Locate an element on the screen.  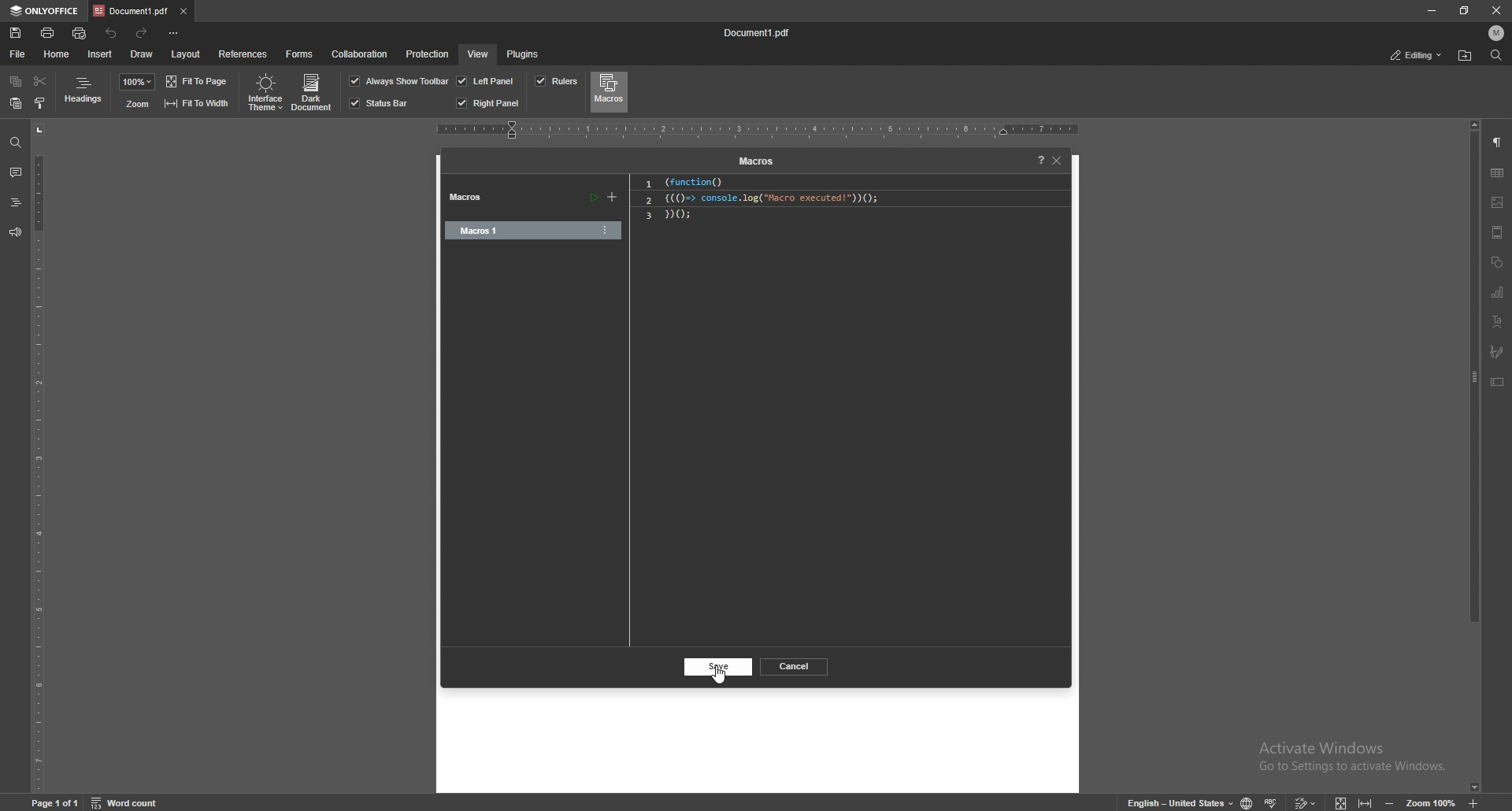
zoom is located at coordinates (1432, 802).